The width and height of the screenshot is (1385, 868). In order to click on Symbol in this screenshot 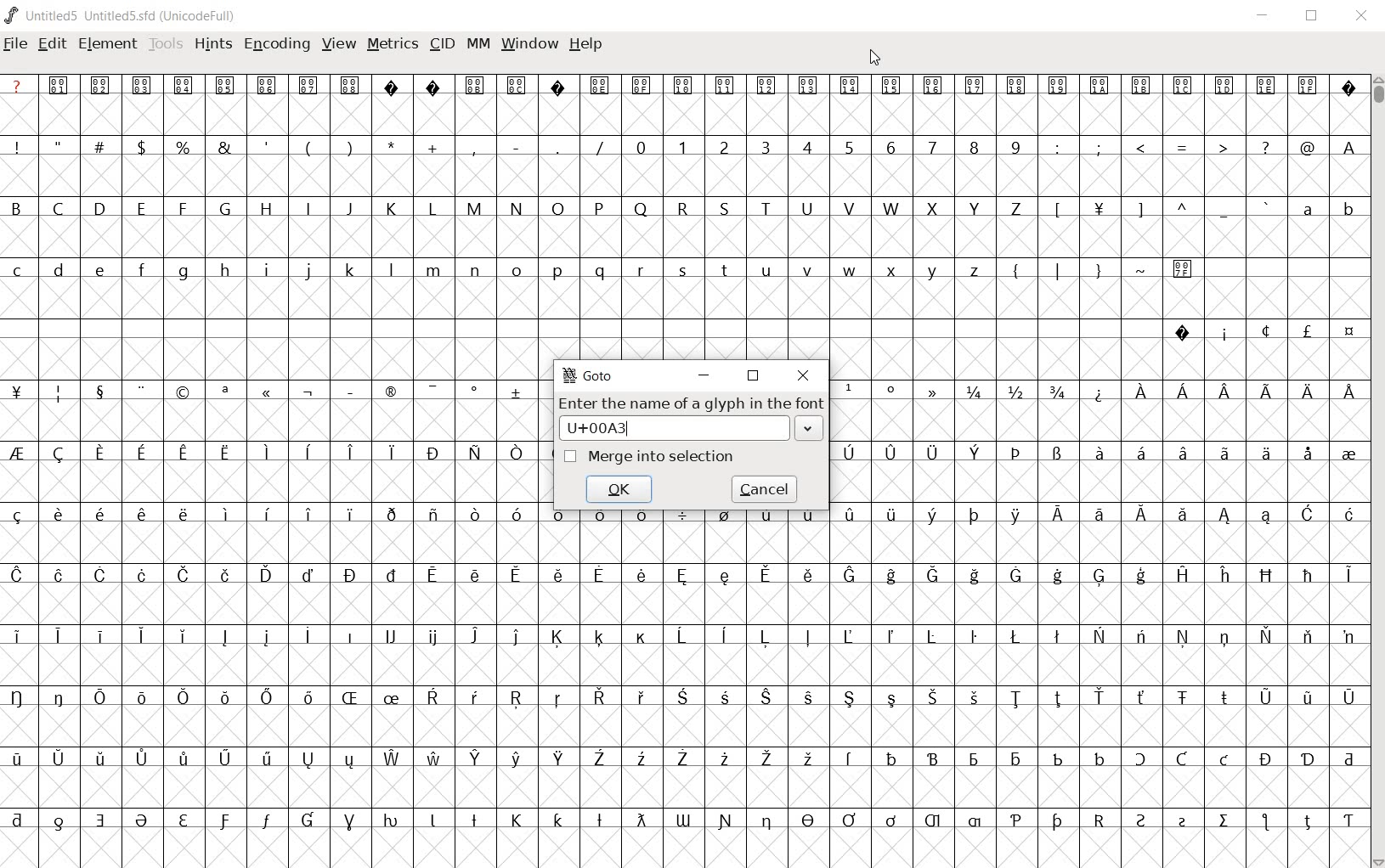, I will do `click(478, 697)`.